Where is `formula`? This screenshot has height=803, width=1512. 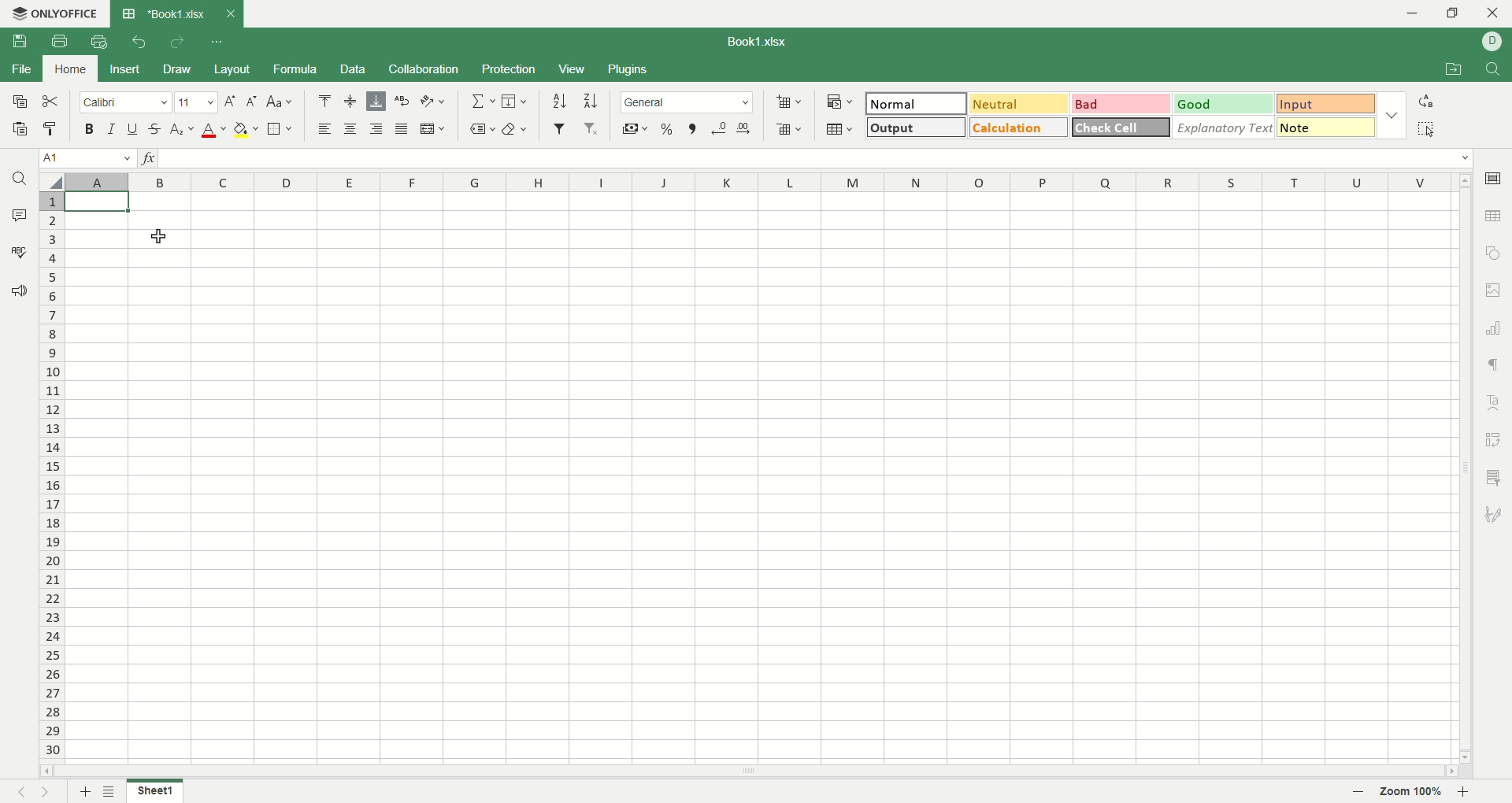
formula is located at coordinates (297, 68).